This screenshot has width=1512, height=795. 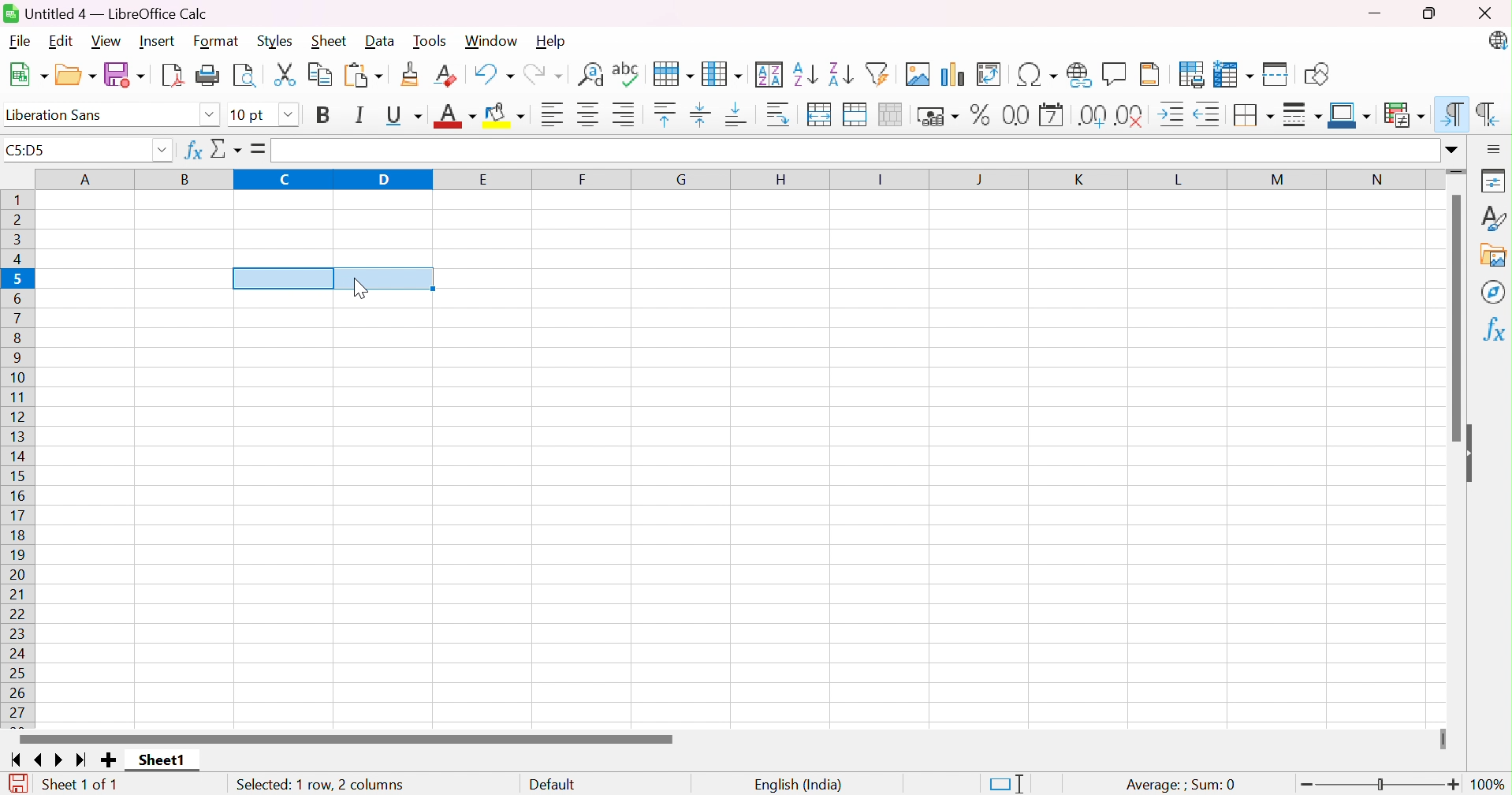 What do you see at coordinates (952, 73) in the screenshot?
I see `Insert Chart` at bounding box center [952, 73].